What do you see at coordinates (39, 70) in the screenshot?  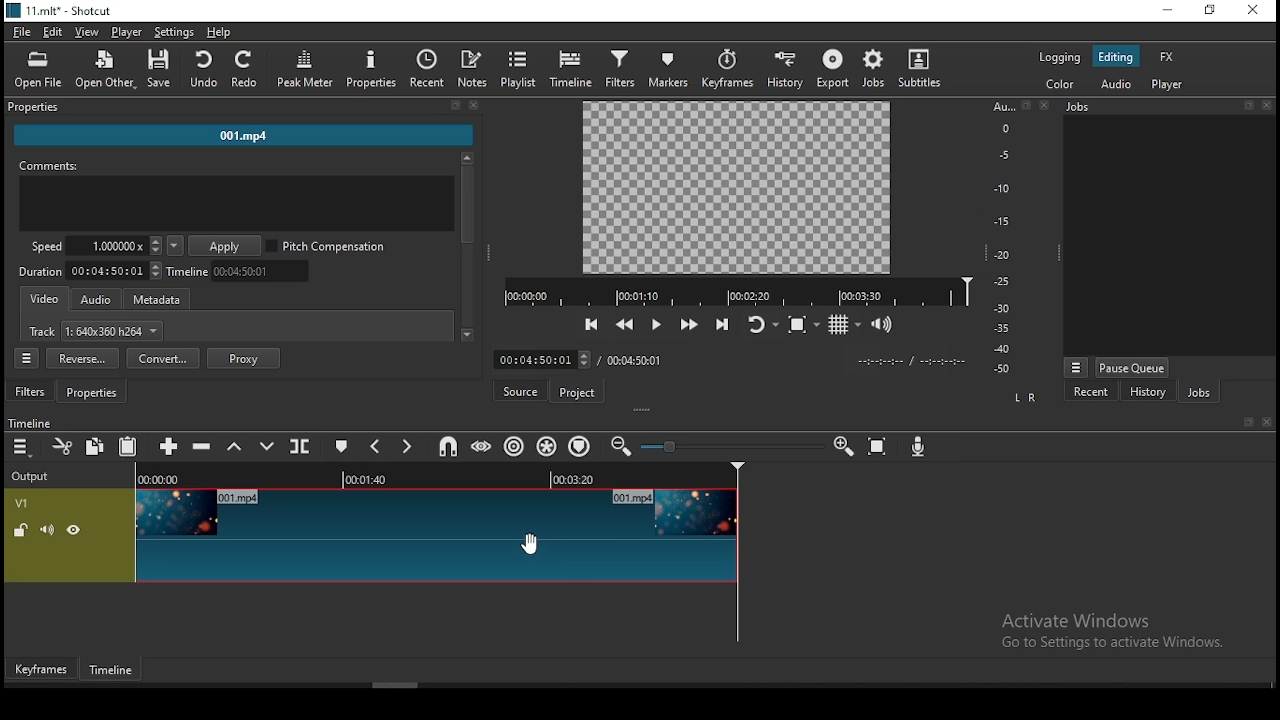 I see `open file` at bounding box center [39, 70].